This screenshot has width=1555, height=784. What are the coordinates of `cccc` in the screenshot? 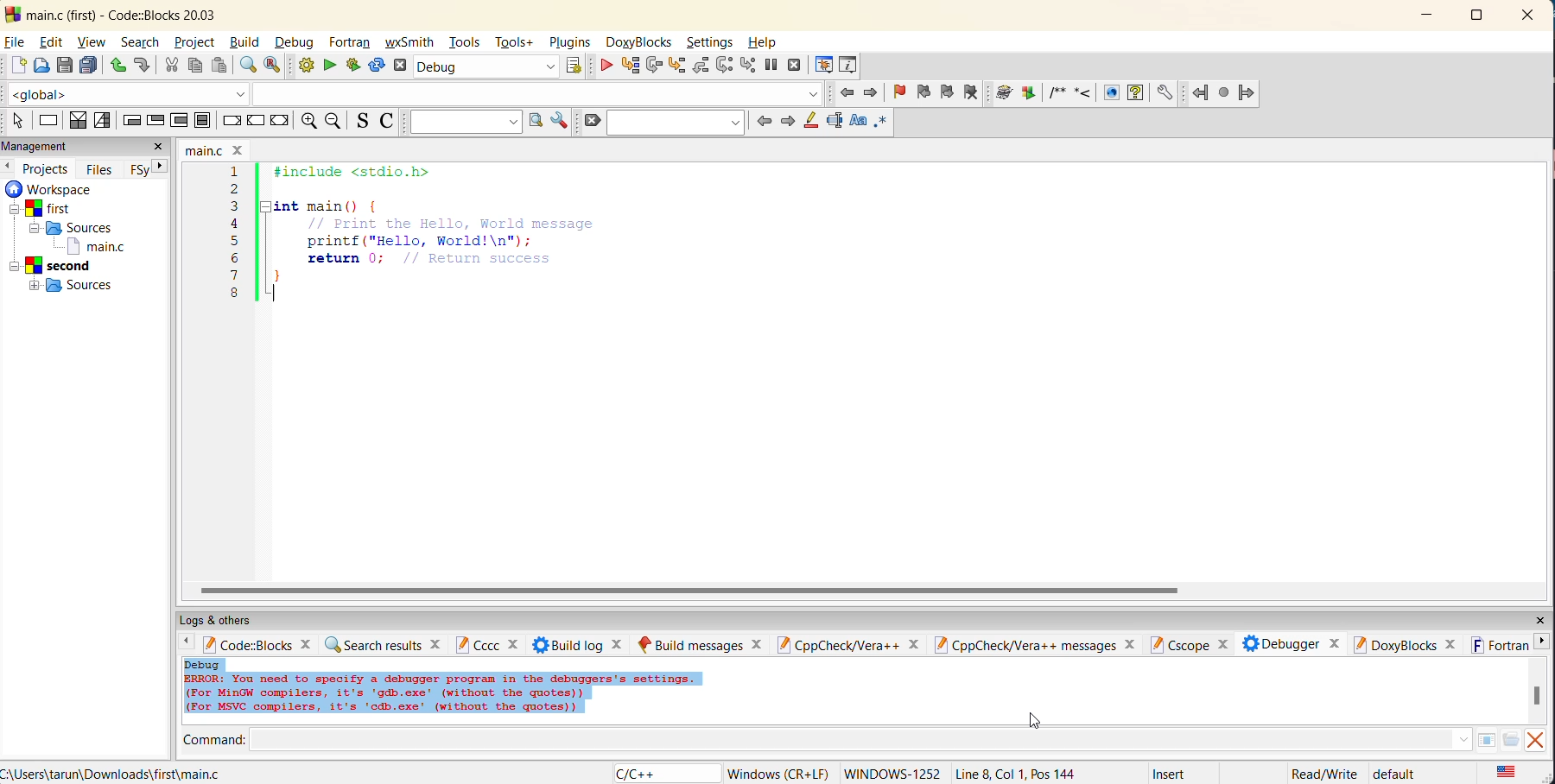 It's located at (488, 644).